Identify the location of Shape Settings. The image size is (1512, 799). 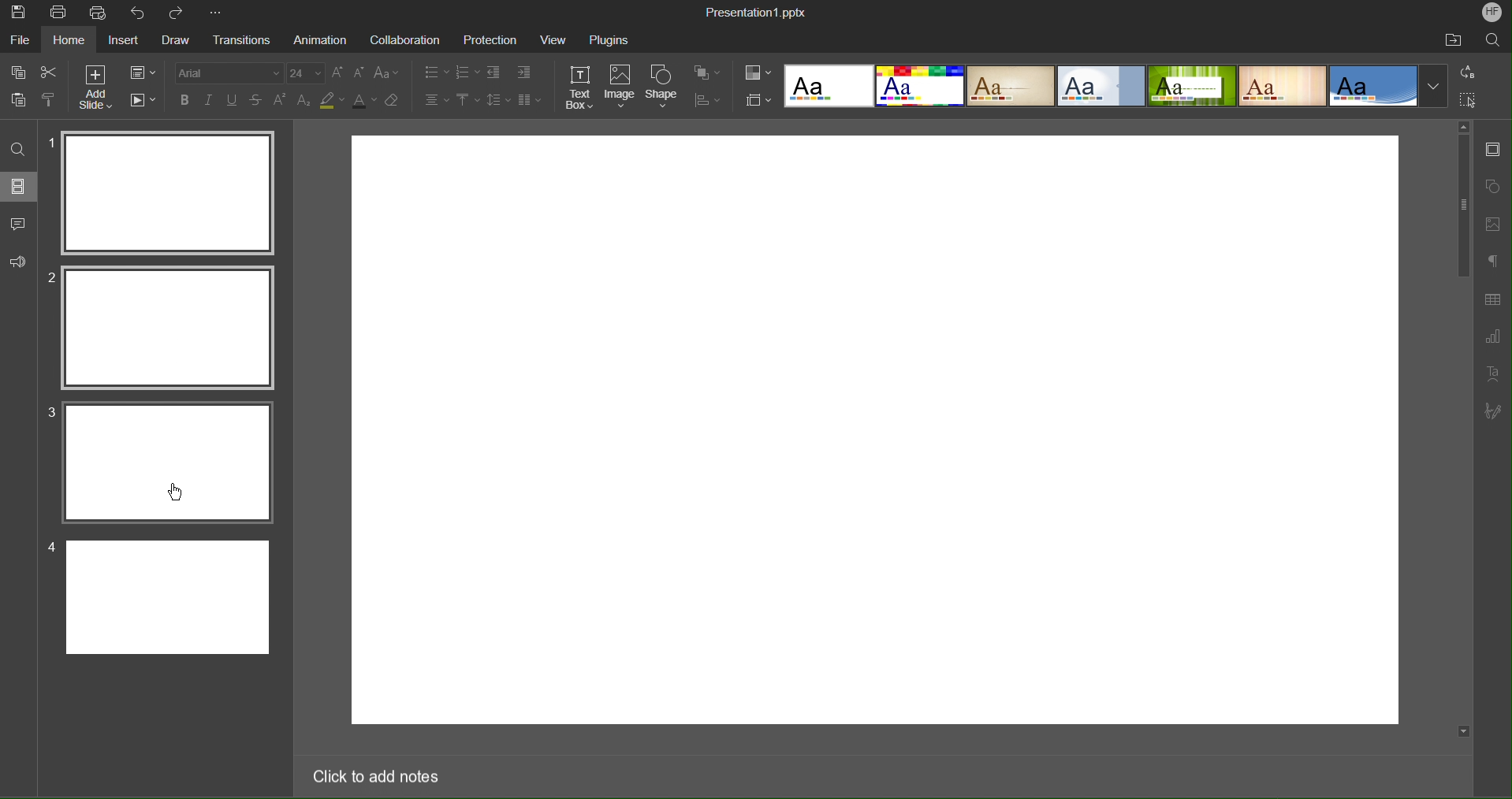
(1493, 186).